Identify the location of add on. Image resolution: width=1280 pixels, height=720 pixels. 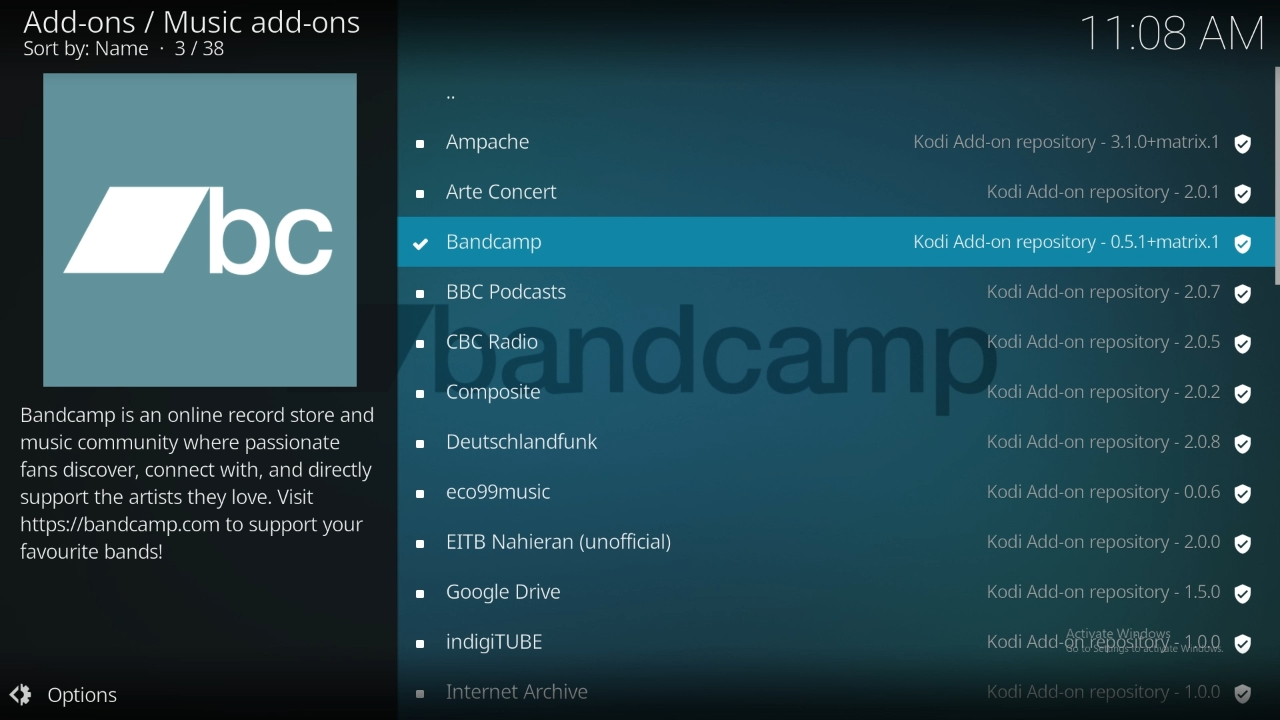
(833, 294).